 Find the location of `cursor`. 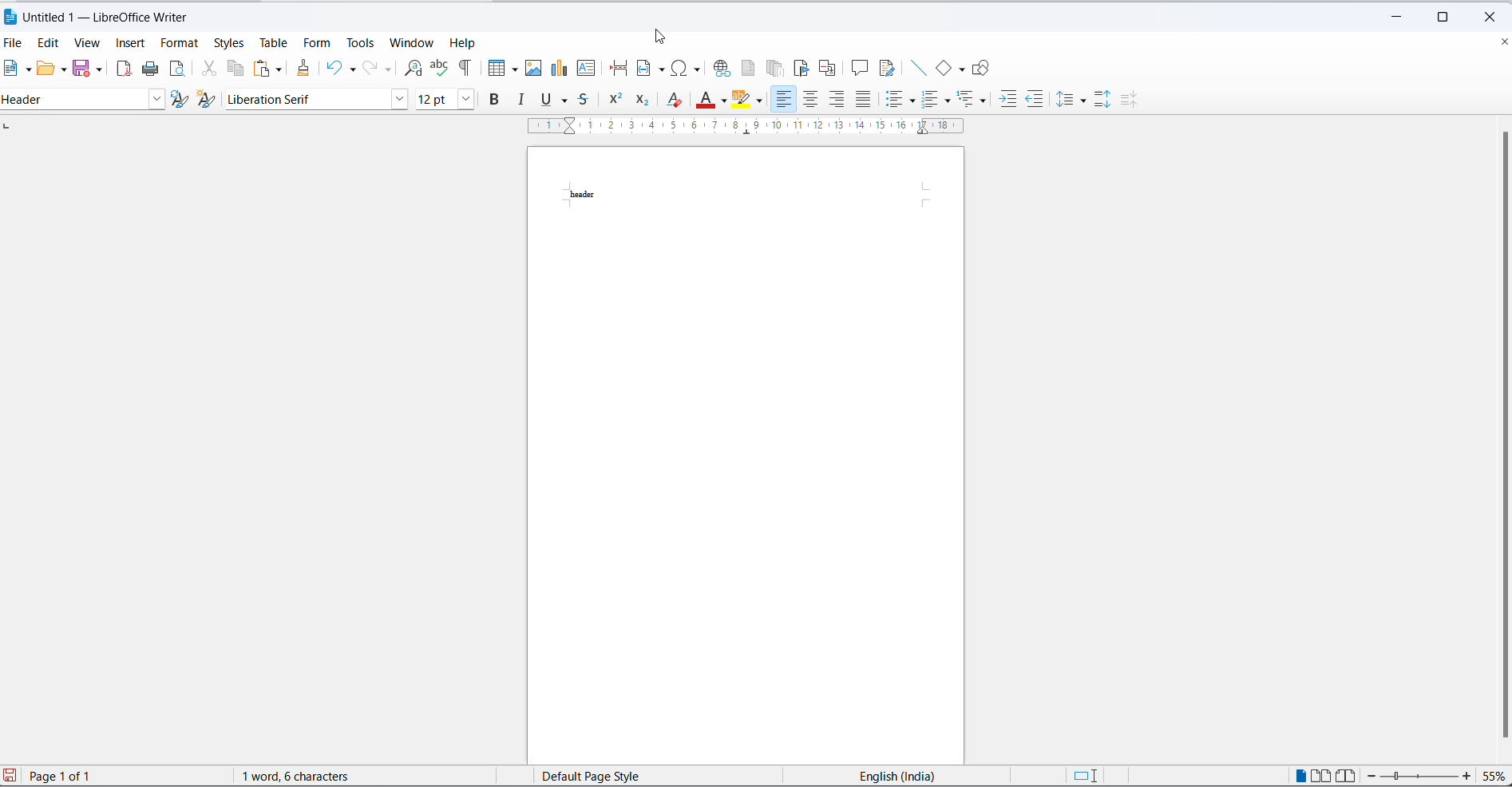

cursor is located at coordinates (663, 35).